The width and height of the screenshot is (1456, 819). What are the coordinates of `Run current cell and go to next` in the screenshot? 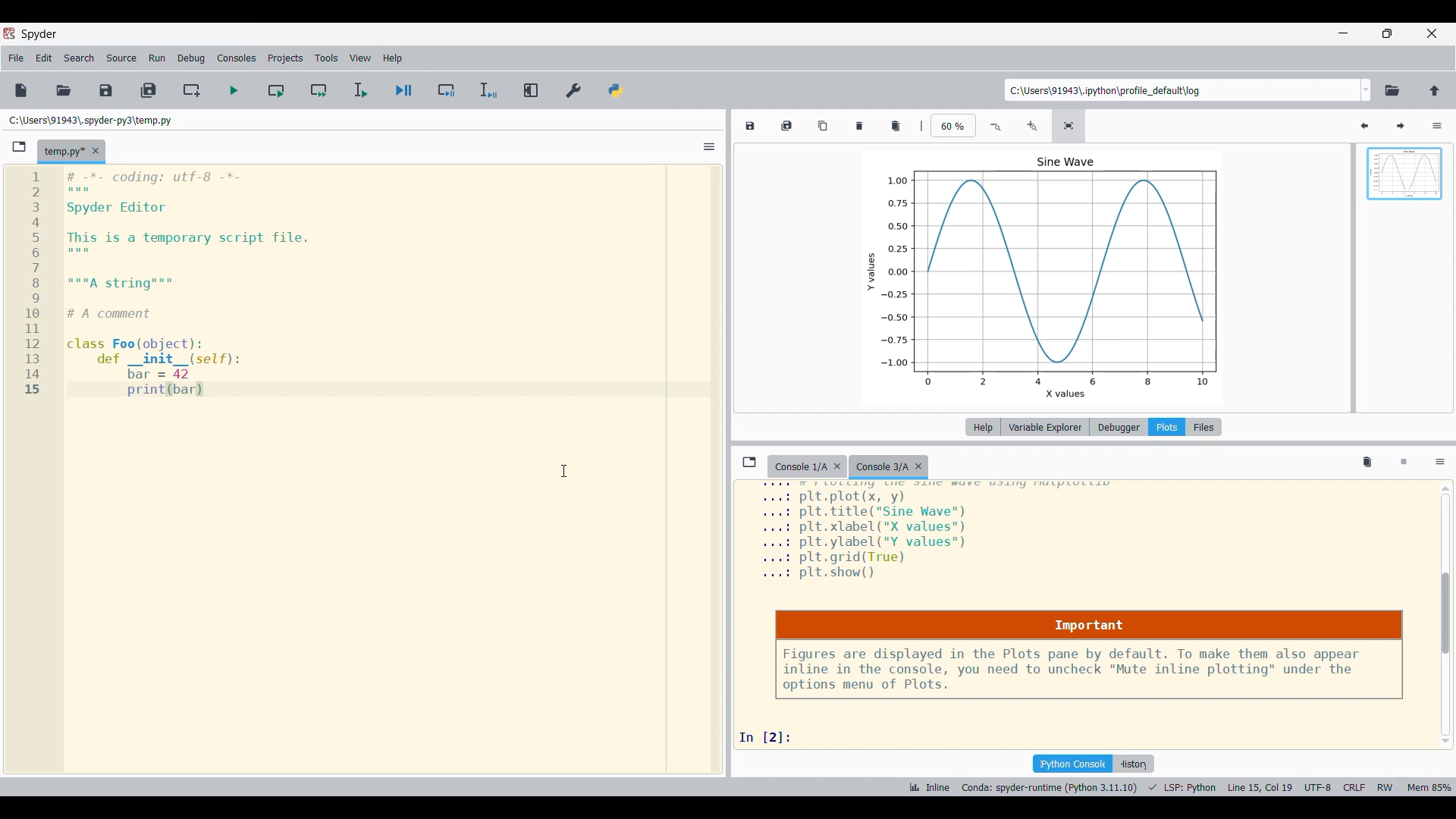 It's located at (319, 90).